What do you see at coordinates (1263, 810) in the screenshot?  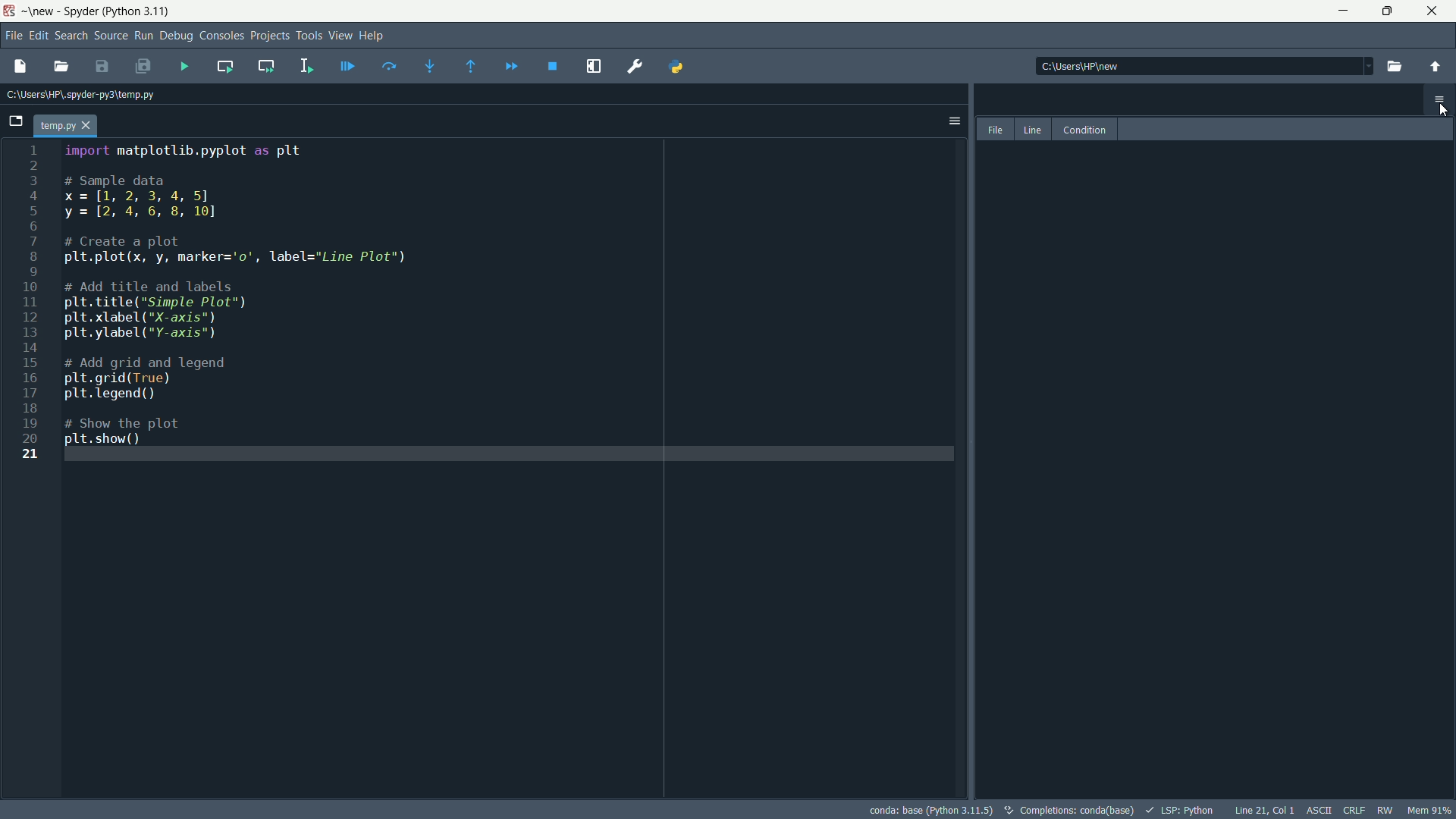 I see `line 21, Col 1` at bounding box center [1263, 810].